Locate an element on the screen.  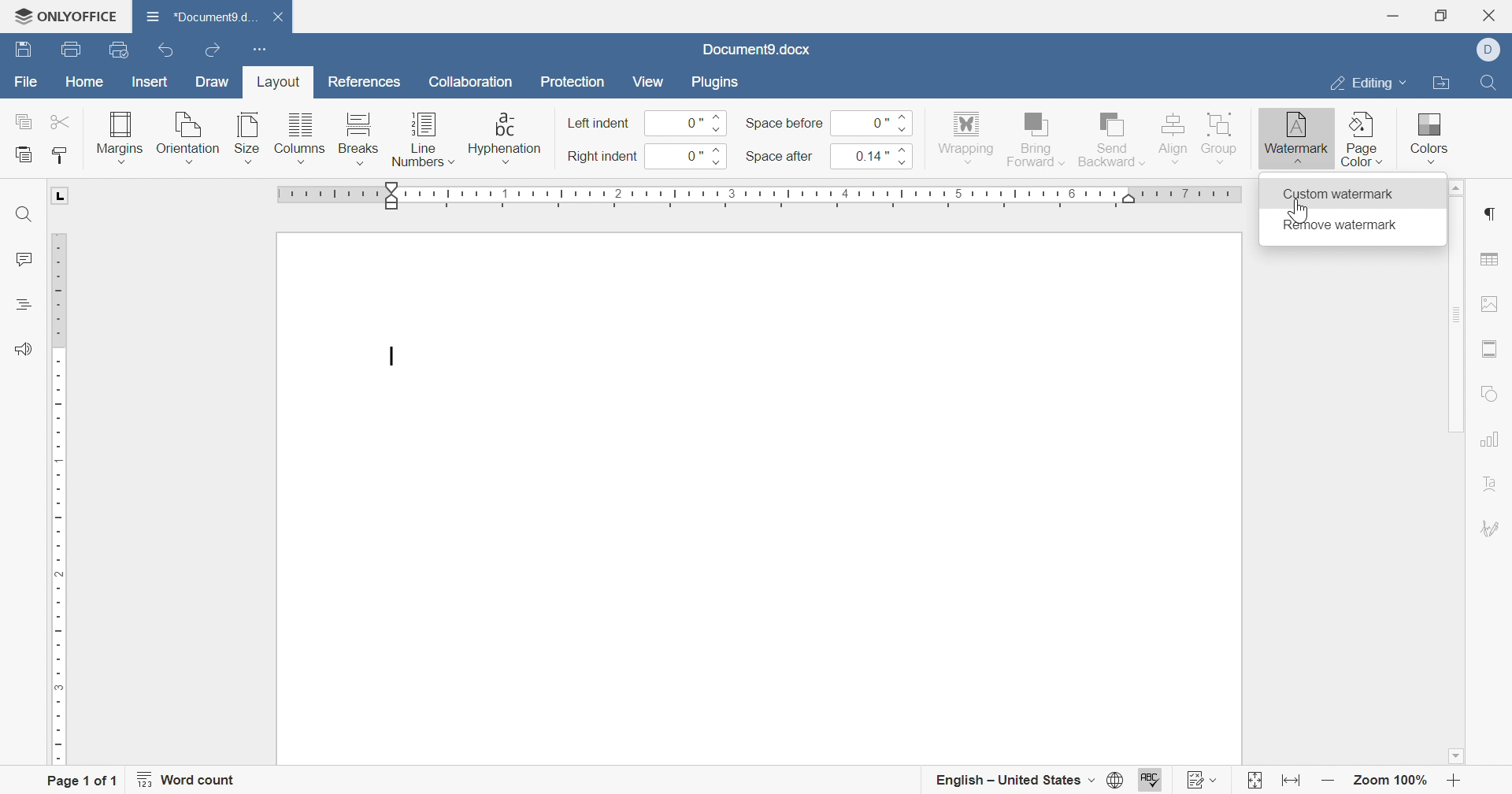
copy is located at coordinates (24, 121).